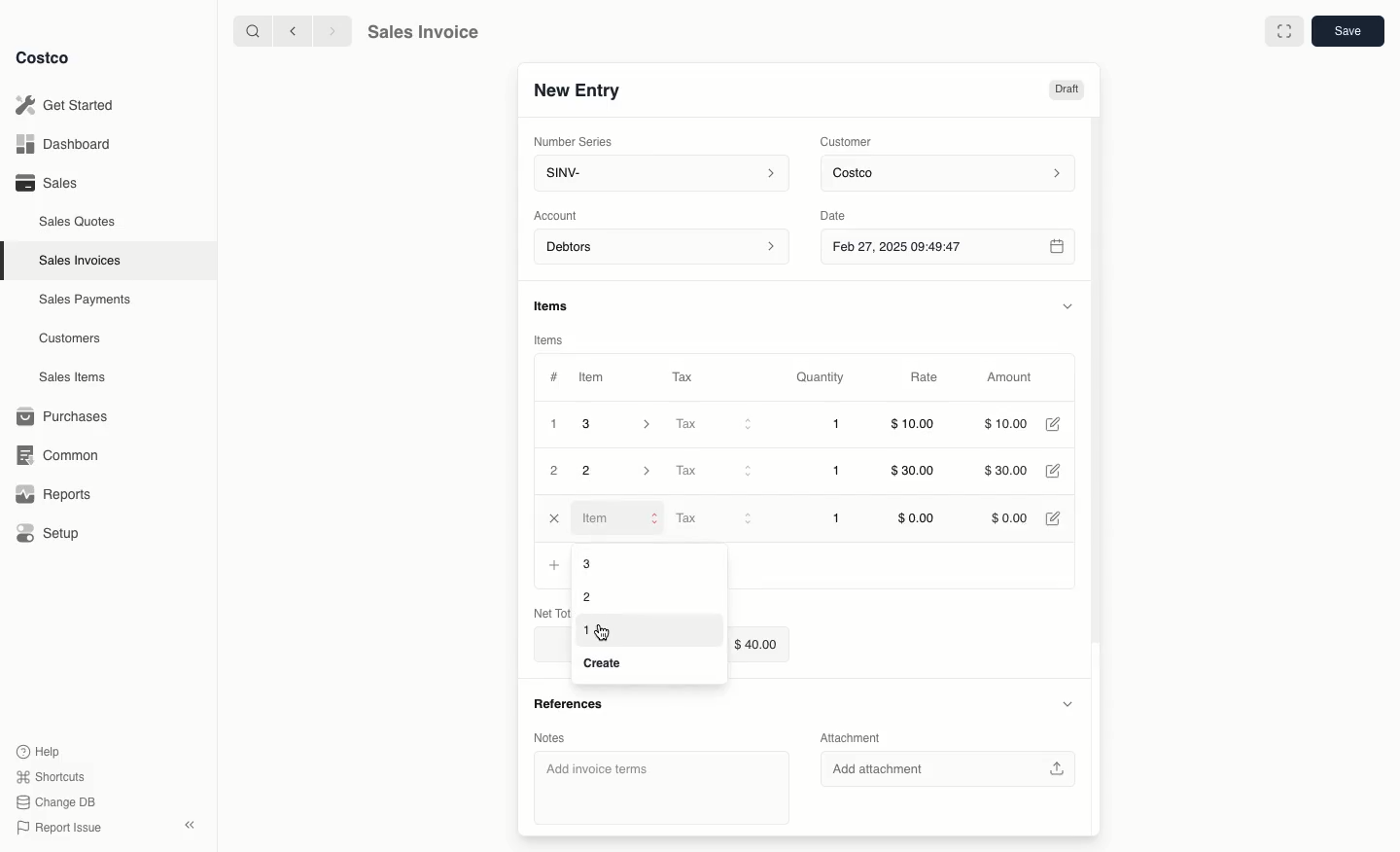 This screenshot has width=1400, height=852. What do you see at coordinates (560, 307) in the screenshot?
I see `Items` at bounding box center [560, 307].